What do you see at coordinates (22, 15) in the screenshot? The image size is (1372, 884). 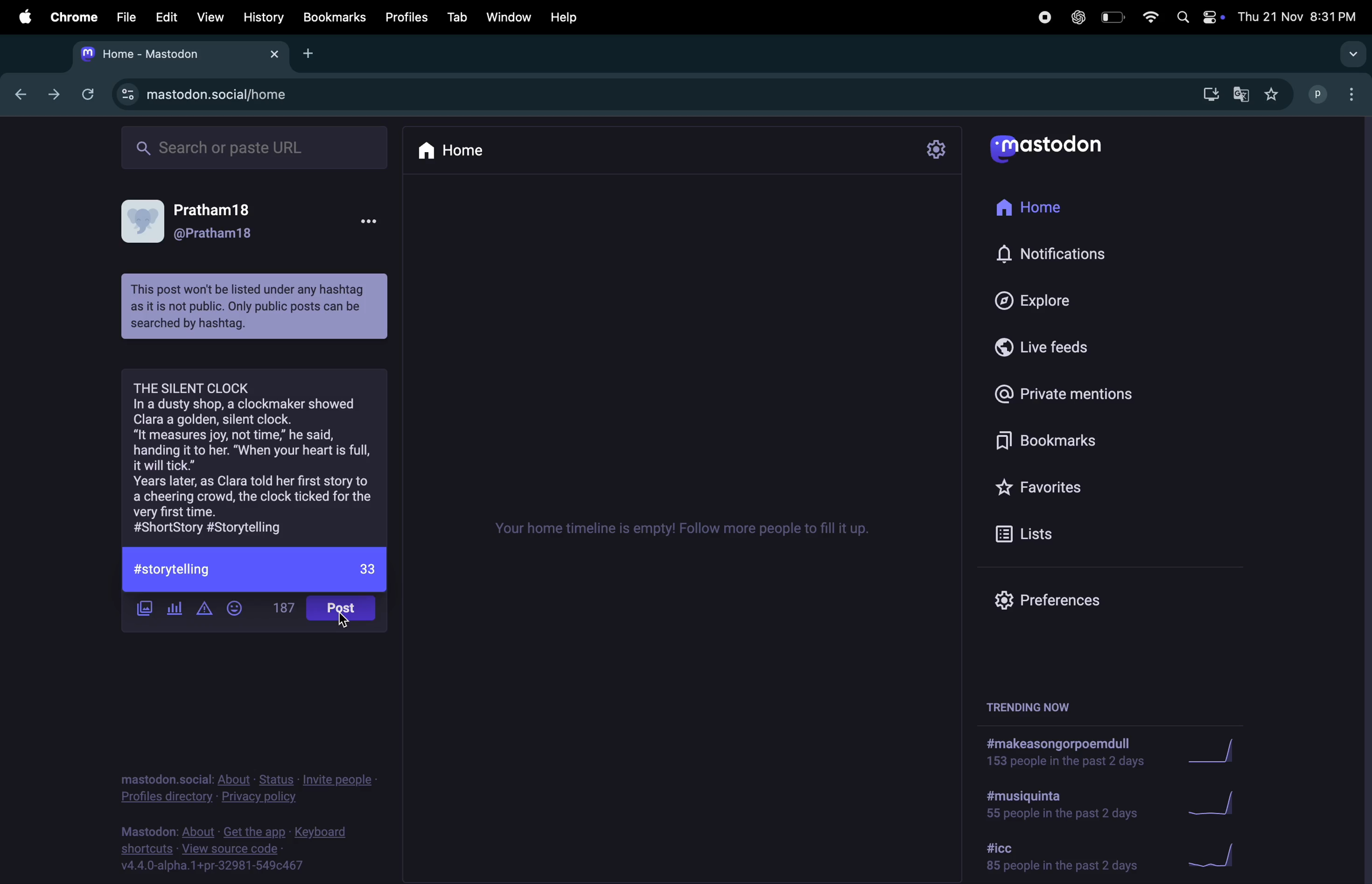 I see `apple menu` at bounding box center [22, 15].